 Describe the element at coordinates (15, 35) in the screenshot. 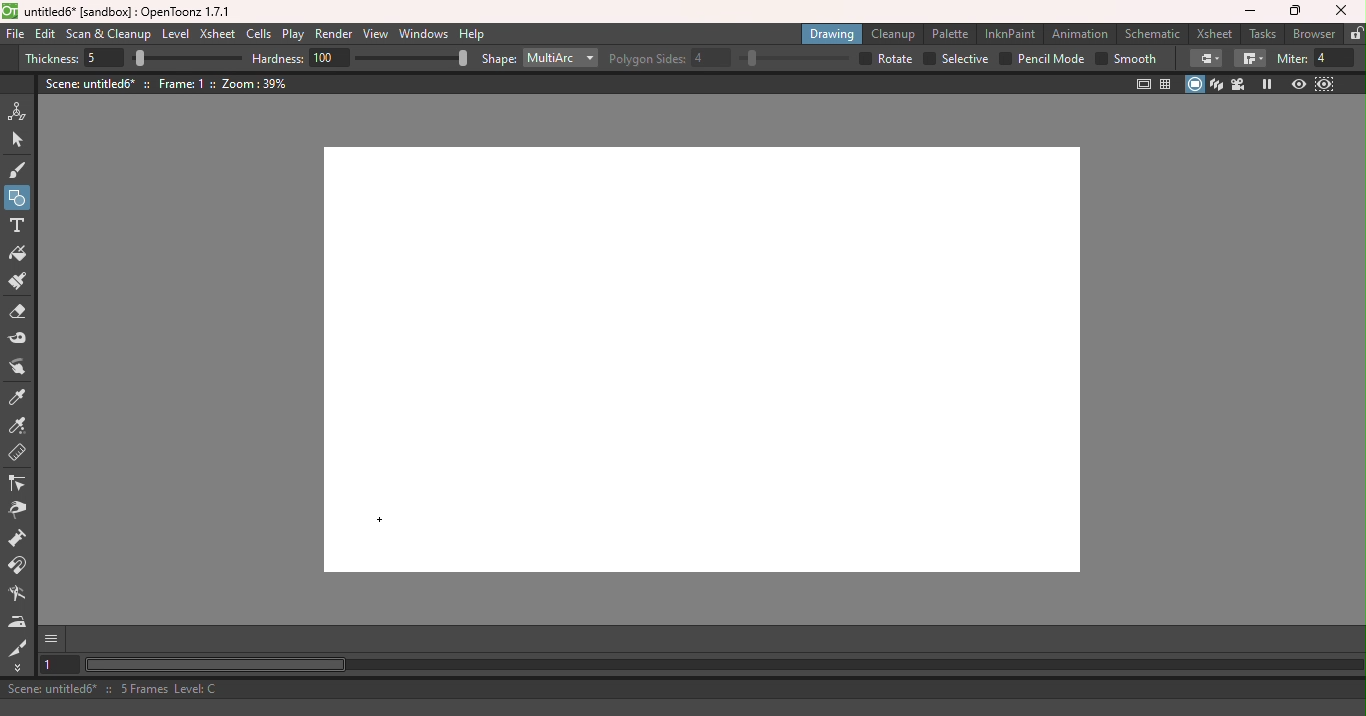

I see `File` at that location.